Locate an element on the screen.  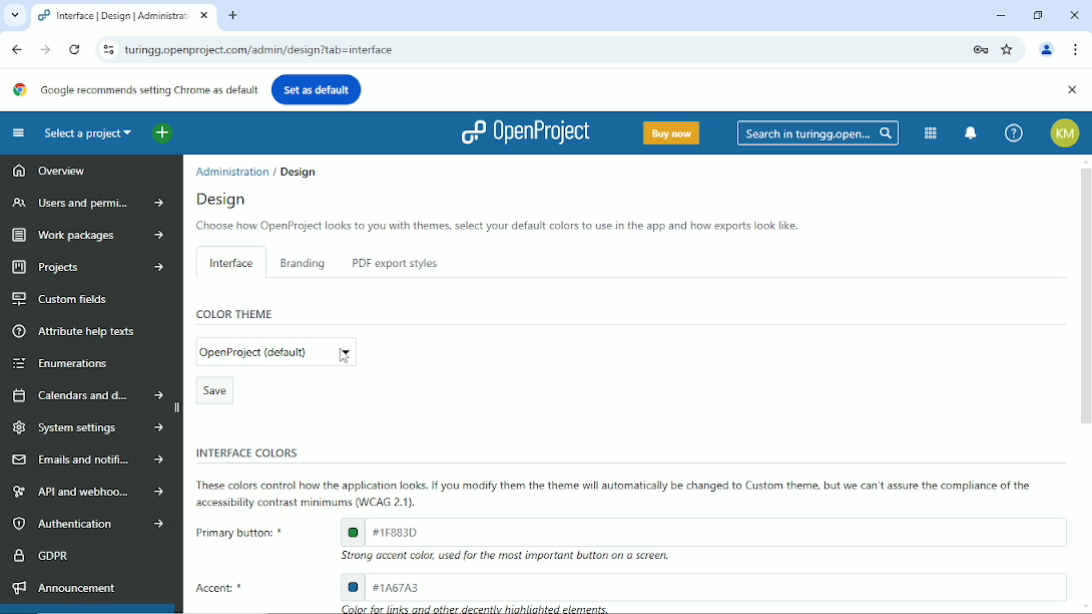
To notification center is located at coordinates (972, 132).